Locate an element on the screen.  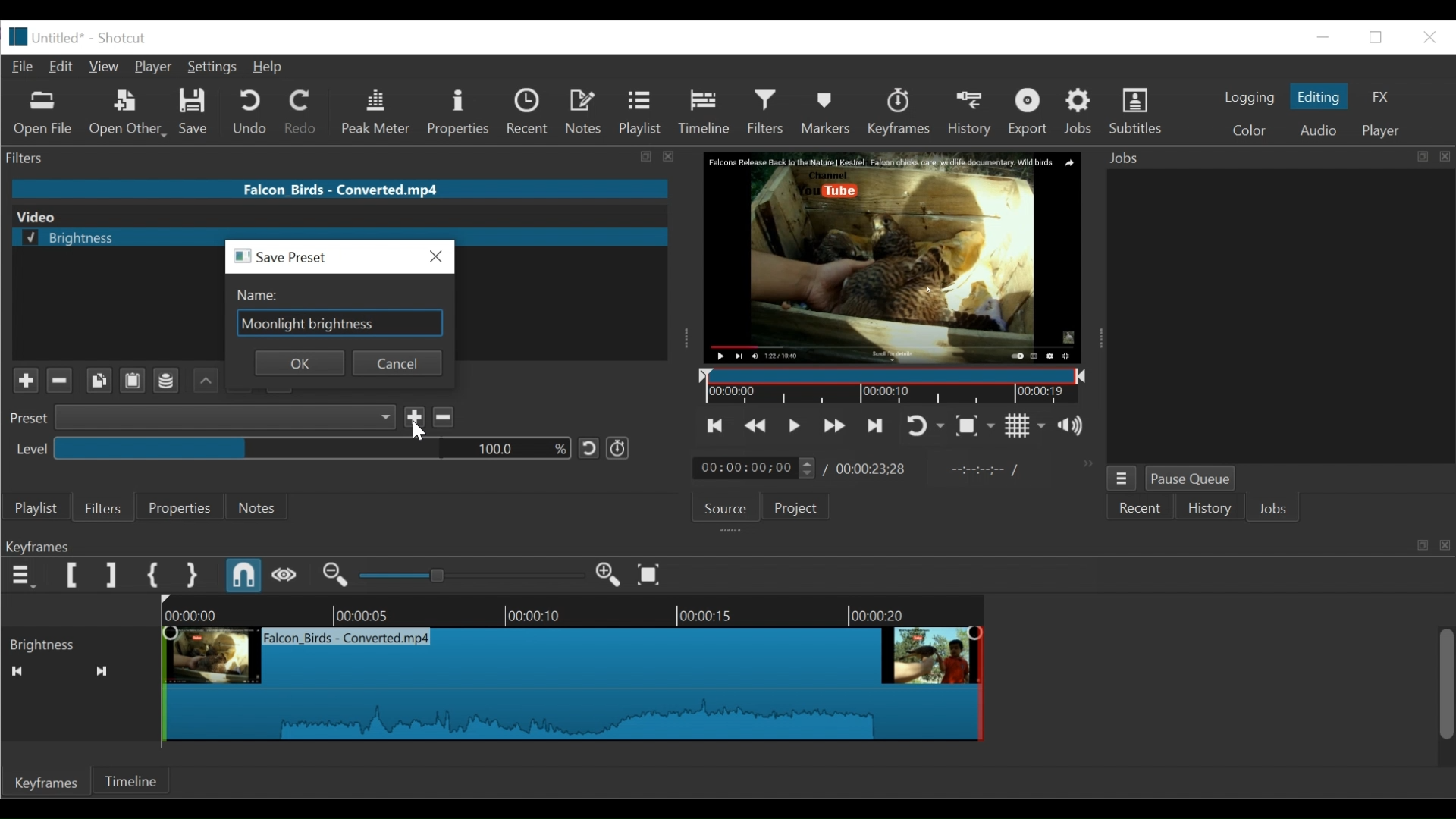
Preset is located at coordinates (24, 421).